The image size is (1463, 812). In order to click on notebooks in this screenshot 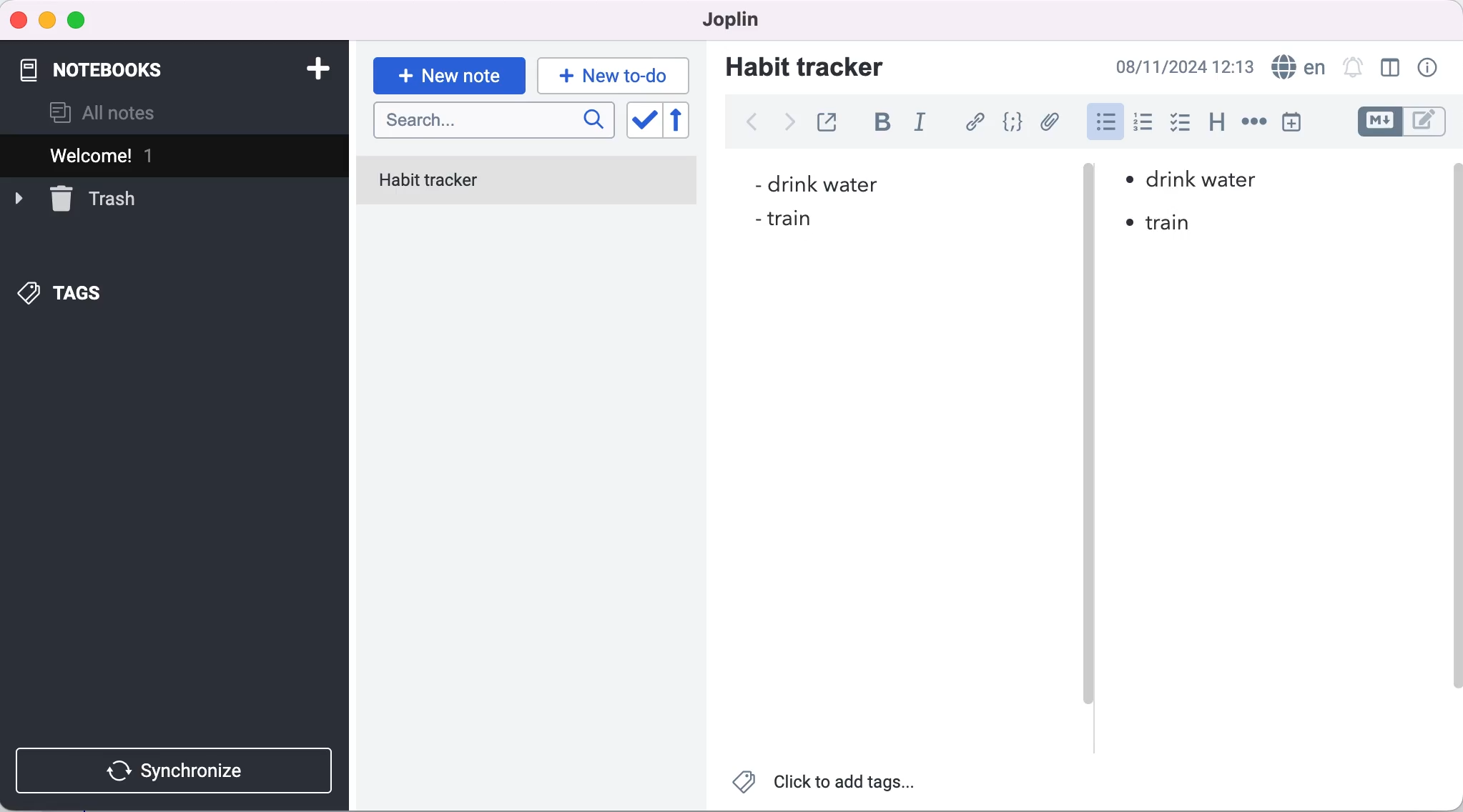, I will do `click(114, 63)`.